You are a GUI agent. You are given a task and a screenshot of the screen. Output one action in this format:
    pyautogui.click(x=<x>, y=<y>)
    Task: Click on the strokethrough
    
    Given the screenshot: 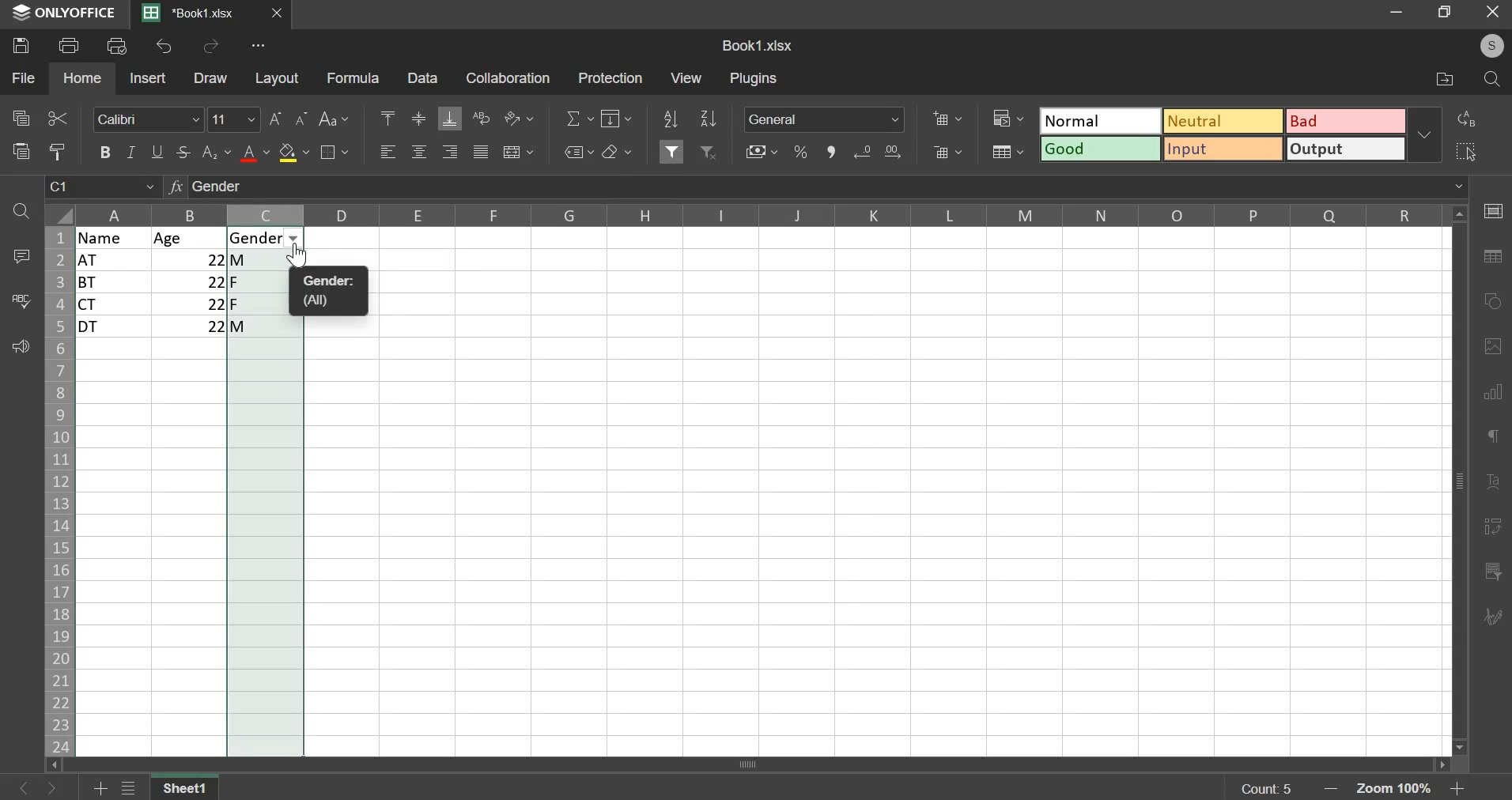 What is the action you would take?
    pyautogui.click(x=184, y=153)
    